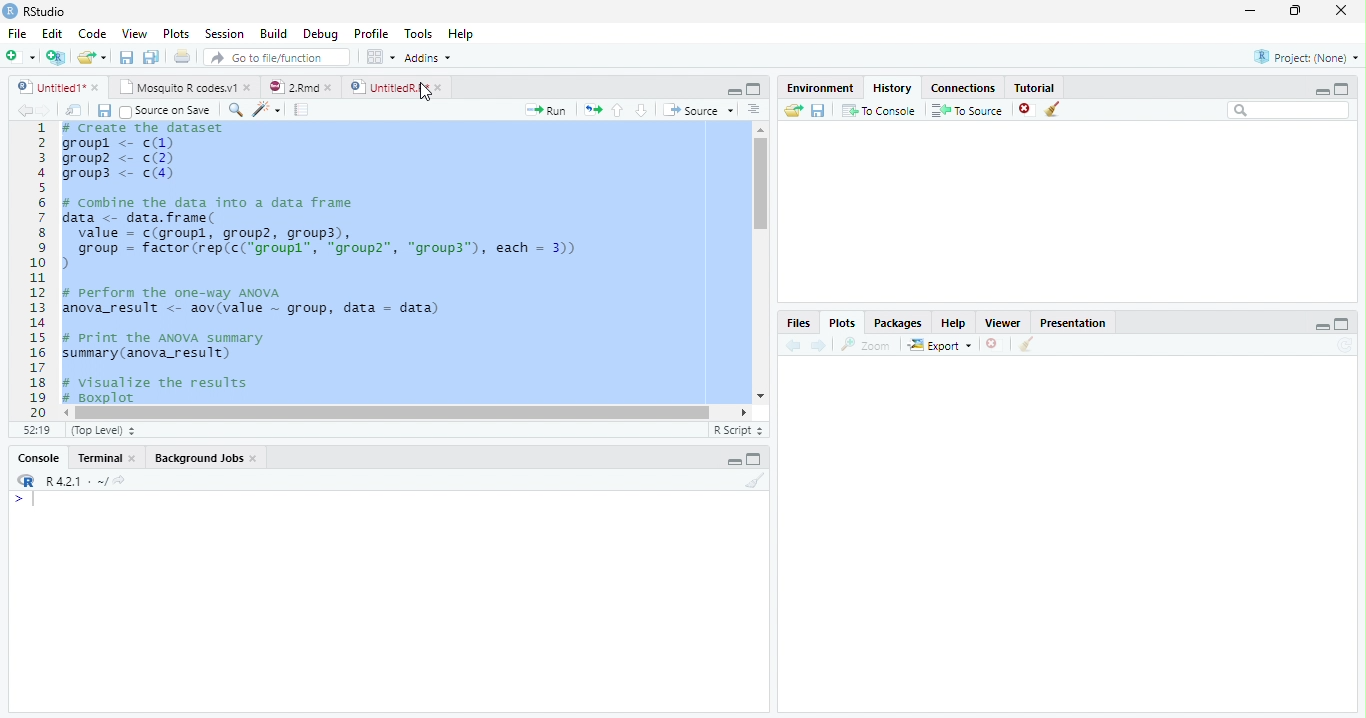 This screenshot has height=718, width=1366. Describe the element at coordinates (169, 111) in the screenshot. I see `Source on save` at that location.